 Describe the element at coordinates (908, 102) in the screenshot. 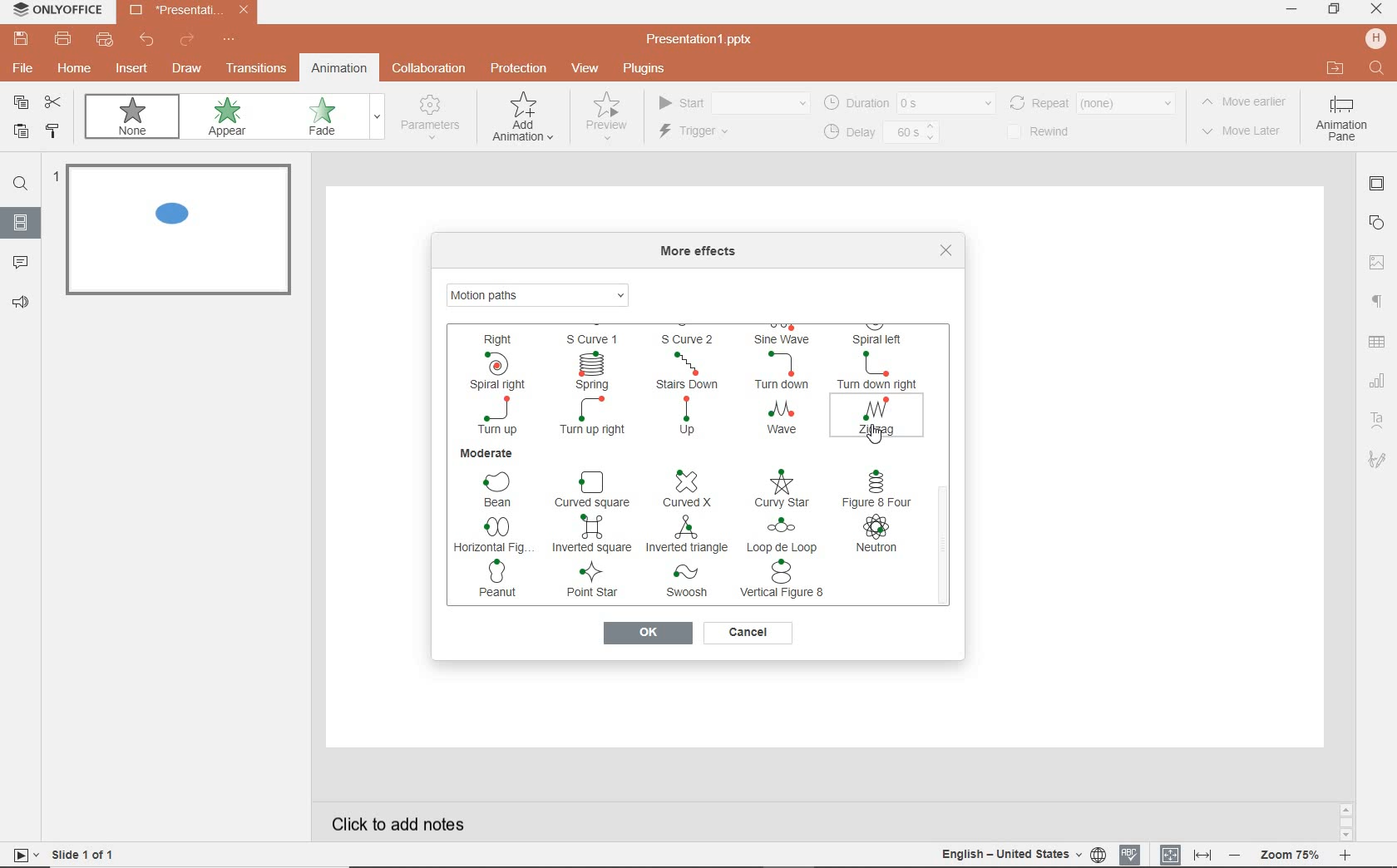

I see `duration` at that location.